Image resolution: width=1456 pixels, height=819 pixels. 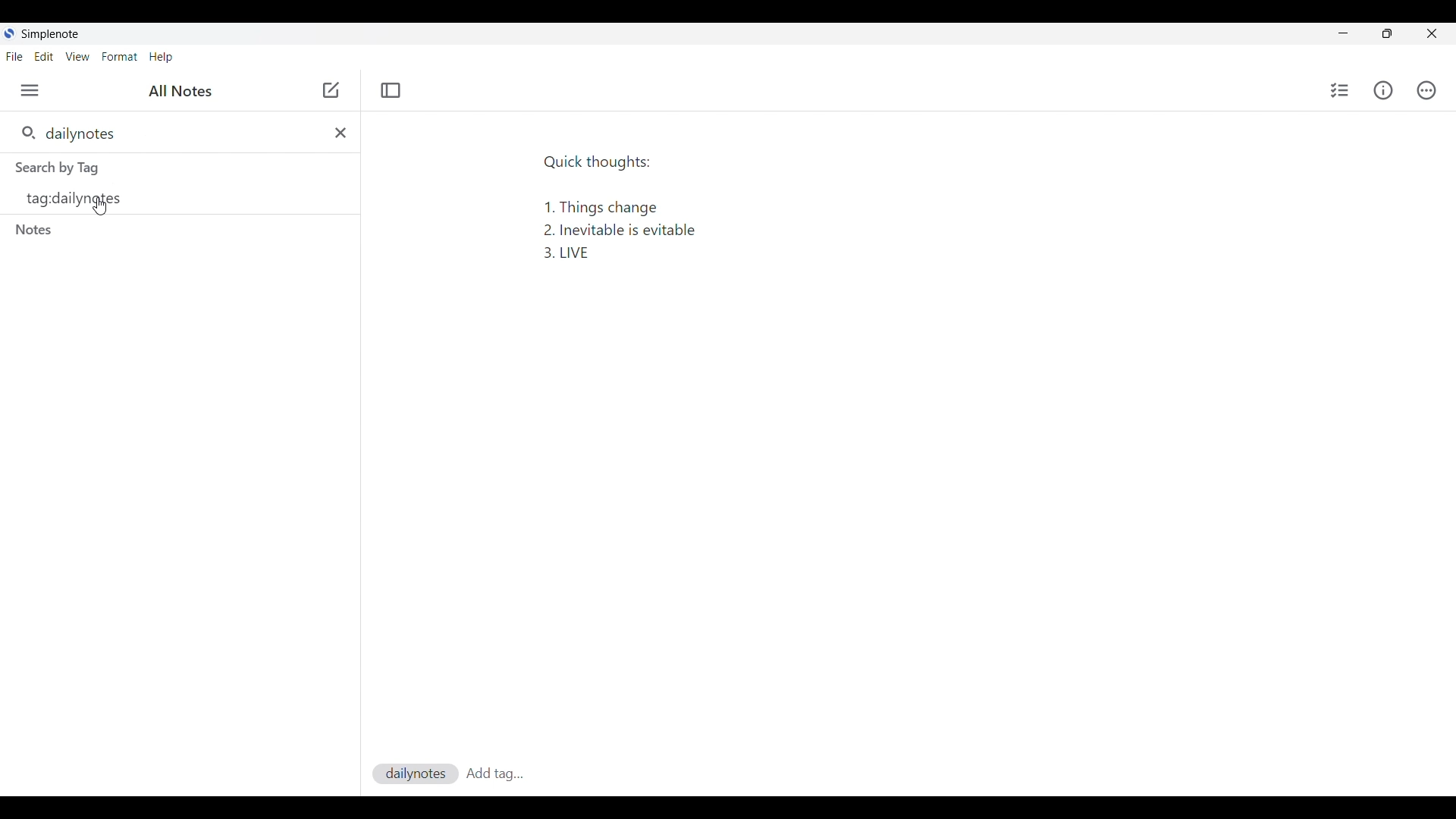 I want to click on Close , so click(x=1432, y=33).